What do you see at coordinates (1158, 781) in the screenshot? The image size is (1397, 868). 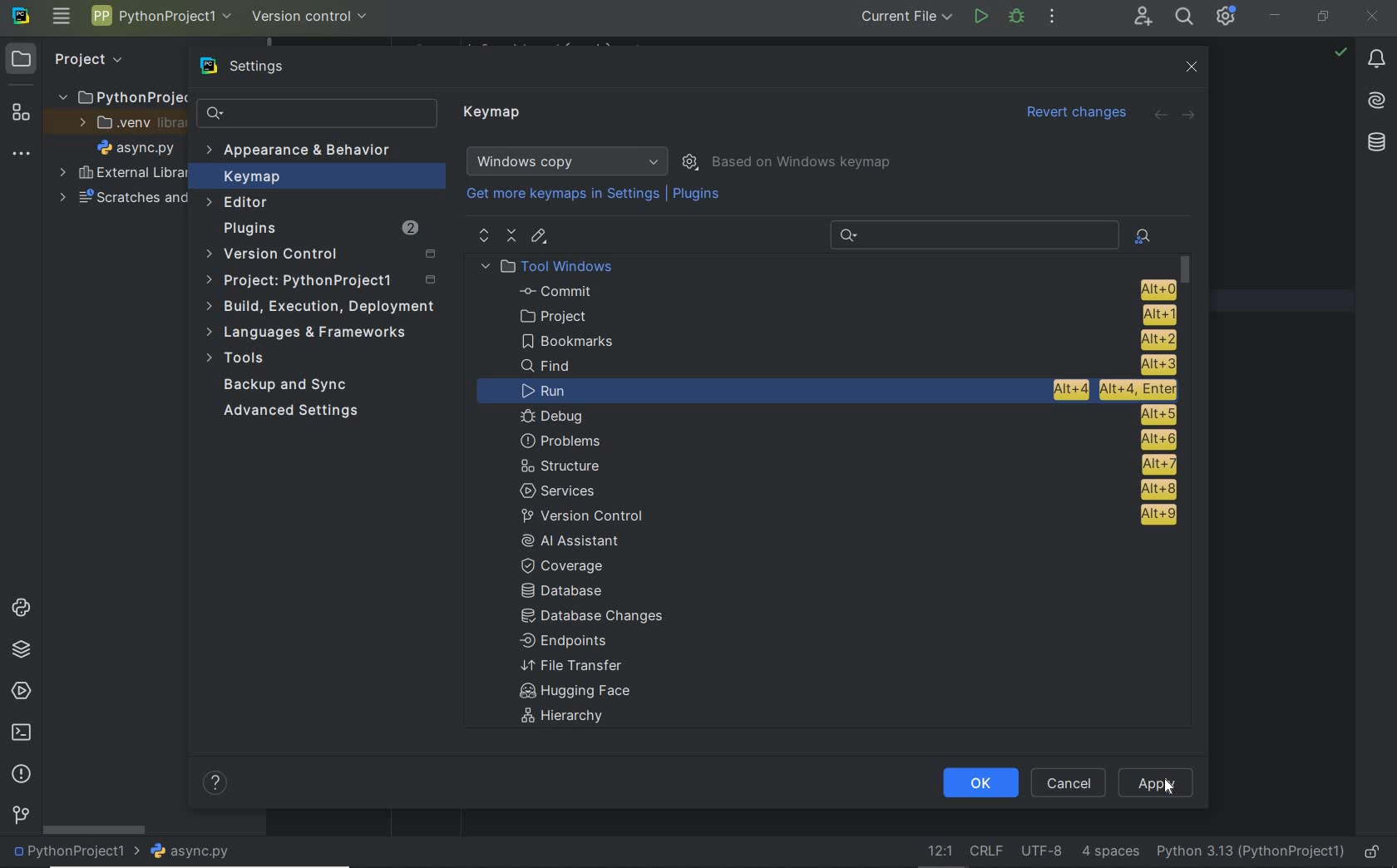 I see `Apply` at bounding box center [1158, 781].